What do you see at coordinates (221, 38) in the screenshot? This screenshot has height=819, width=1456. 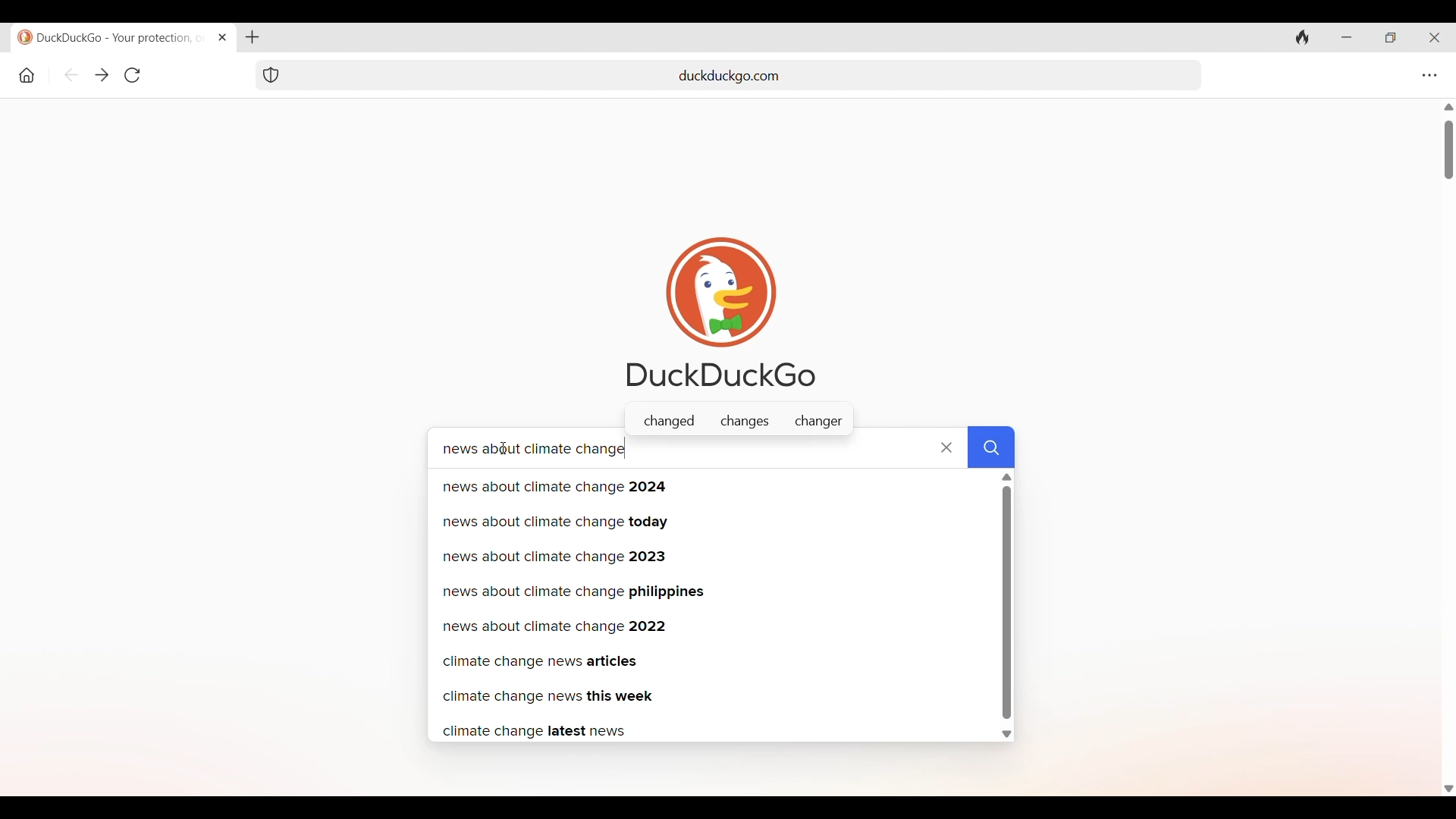 I see `Close tab` at bounding box center [221, 38].